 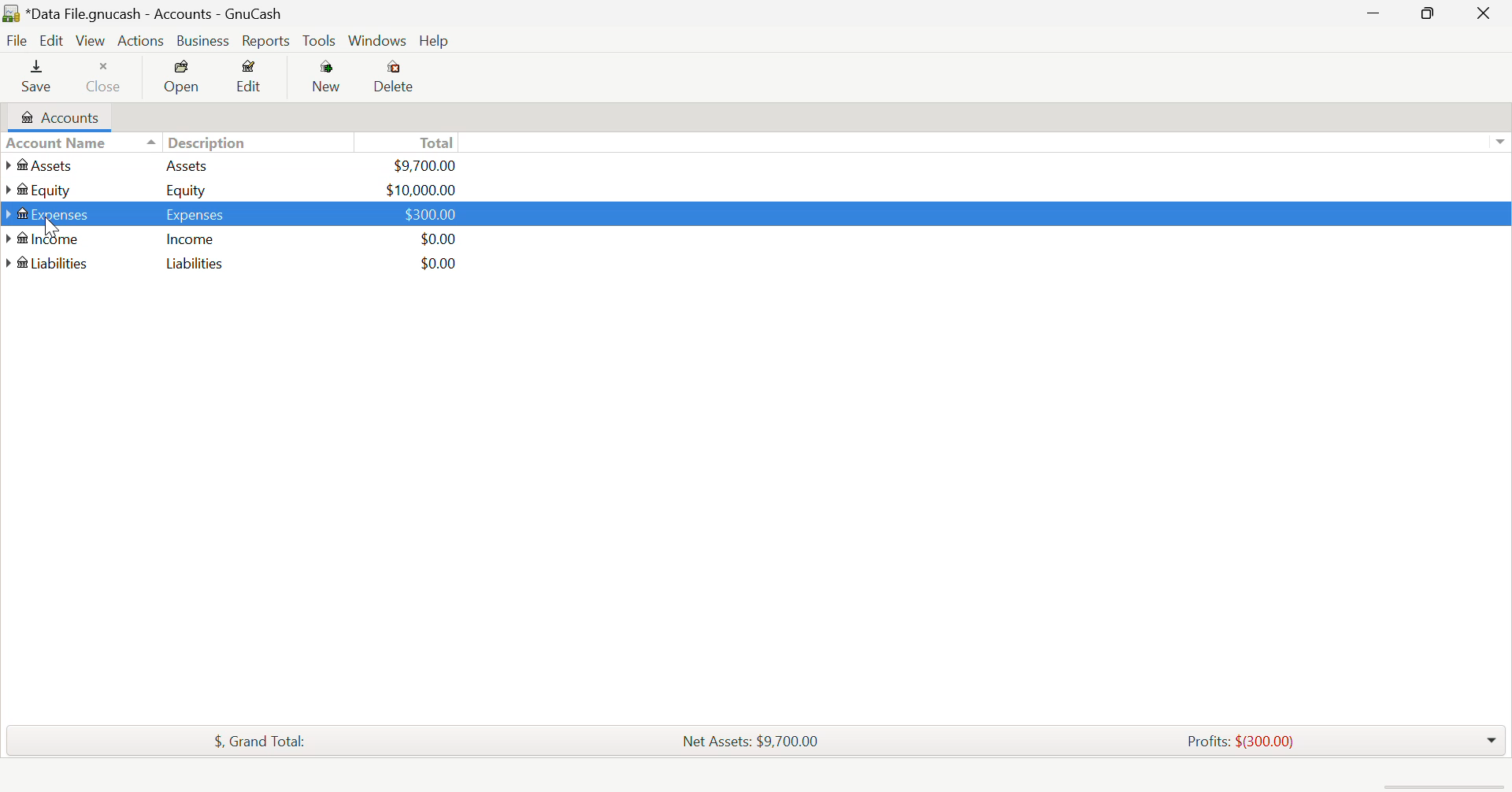 What do you see at coordinates (232, 262) in the screenshot?
I see `Liabilities Liabilities $0.00` at bounding box center [232, 262].